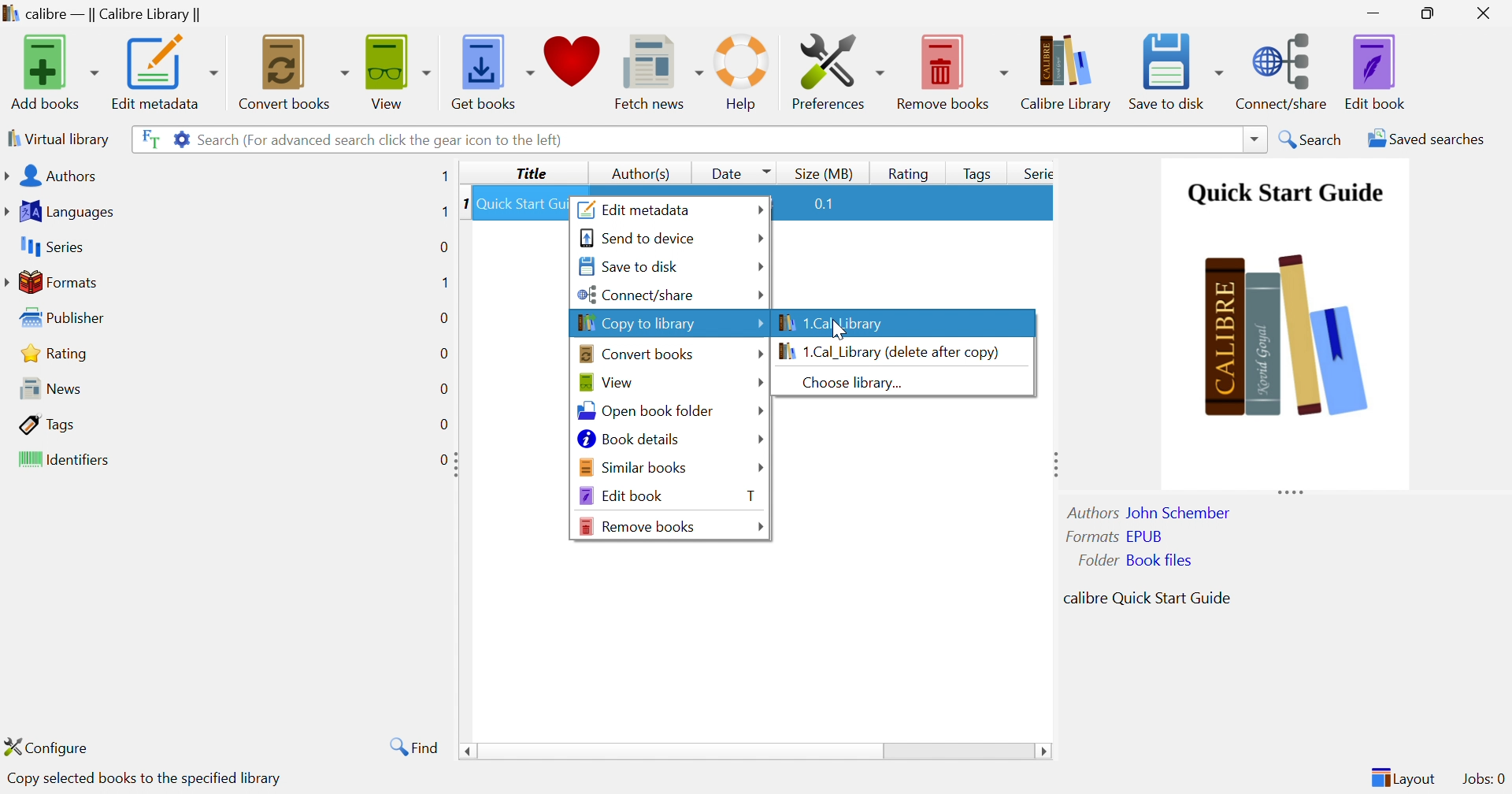 The width and height of the screenshot is (1512, 794). I want to click on 0, so click(447, 421).